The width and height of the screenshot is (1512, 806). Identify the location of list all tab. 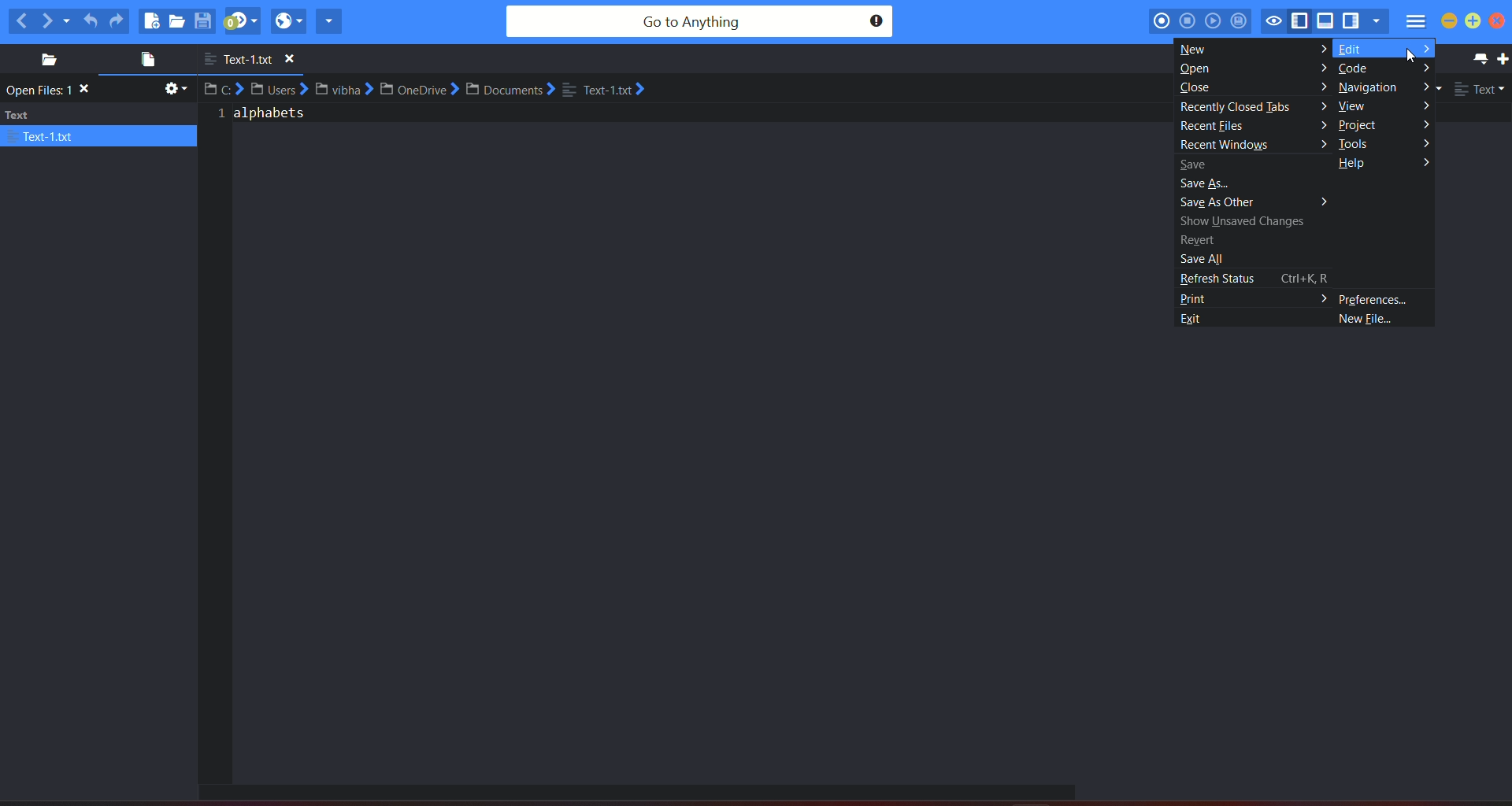
(1477, 58).